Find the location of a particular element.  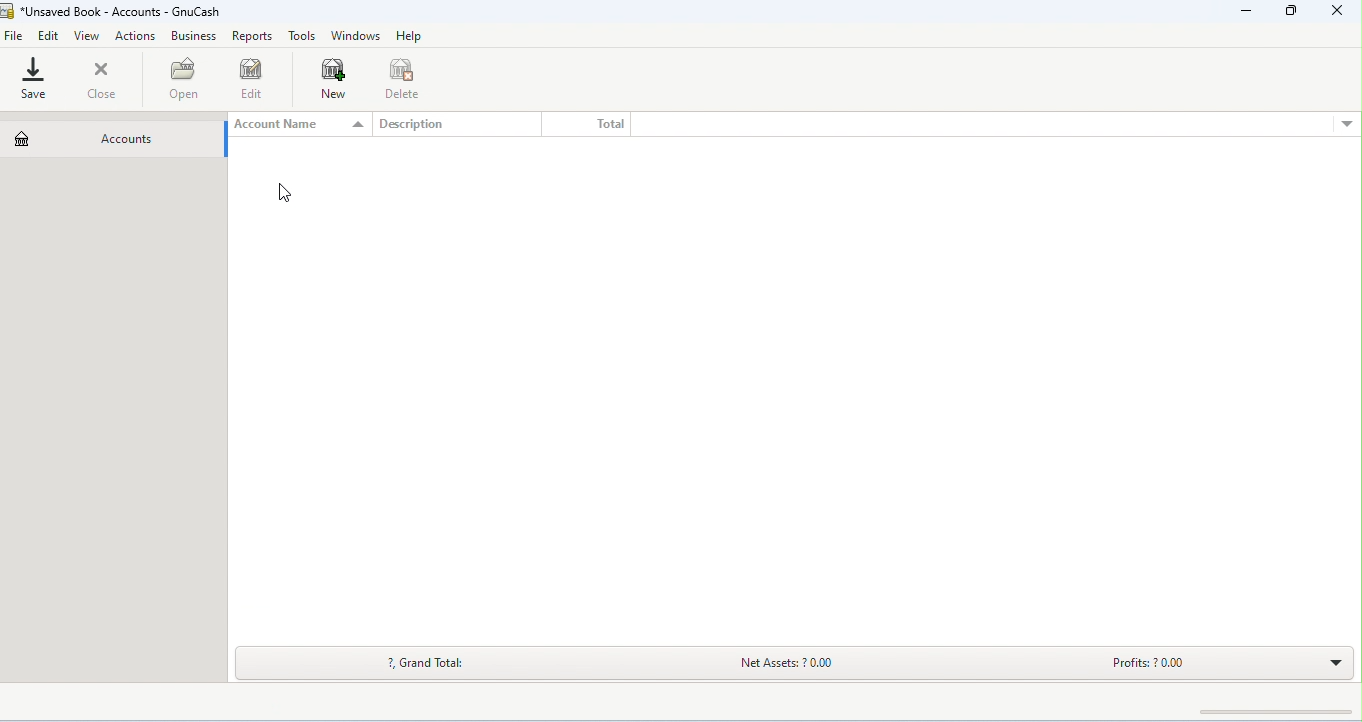

account name is located at coordinates (286, 123).